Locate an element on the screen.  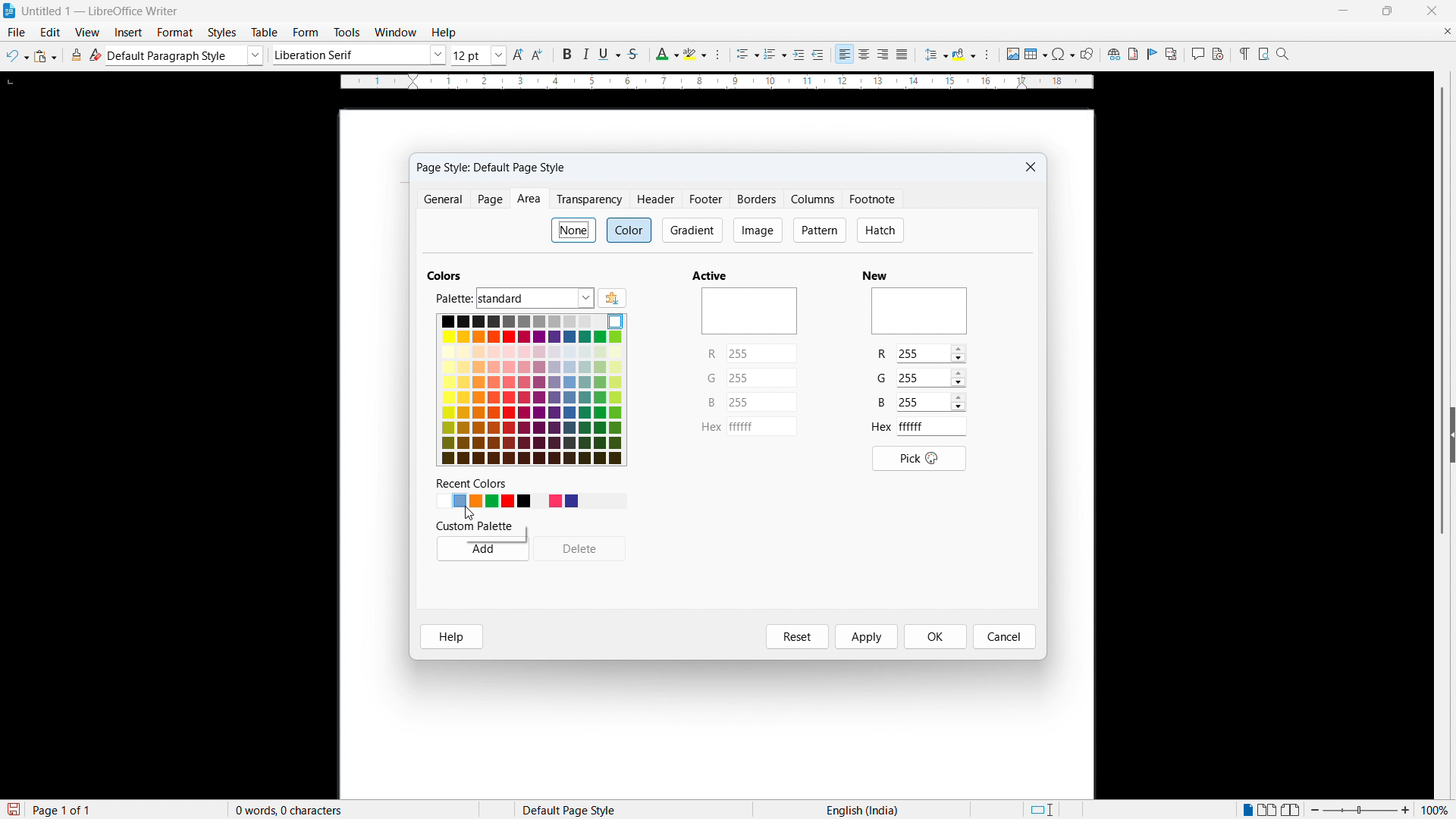
save  is located at coordinates (12, 810).